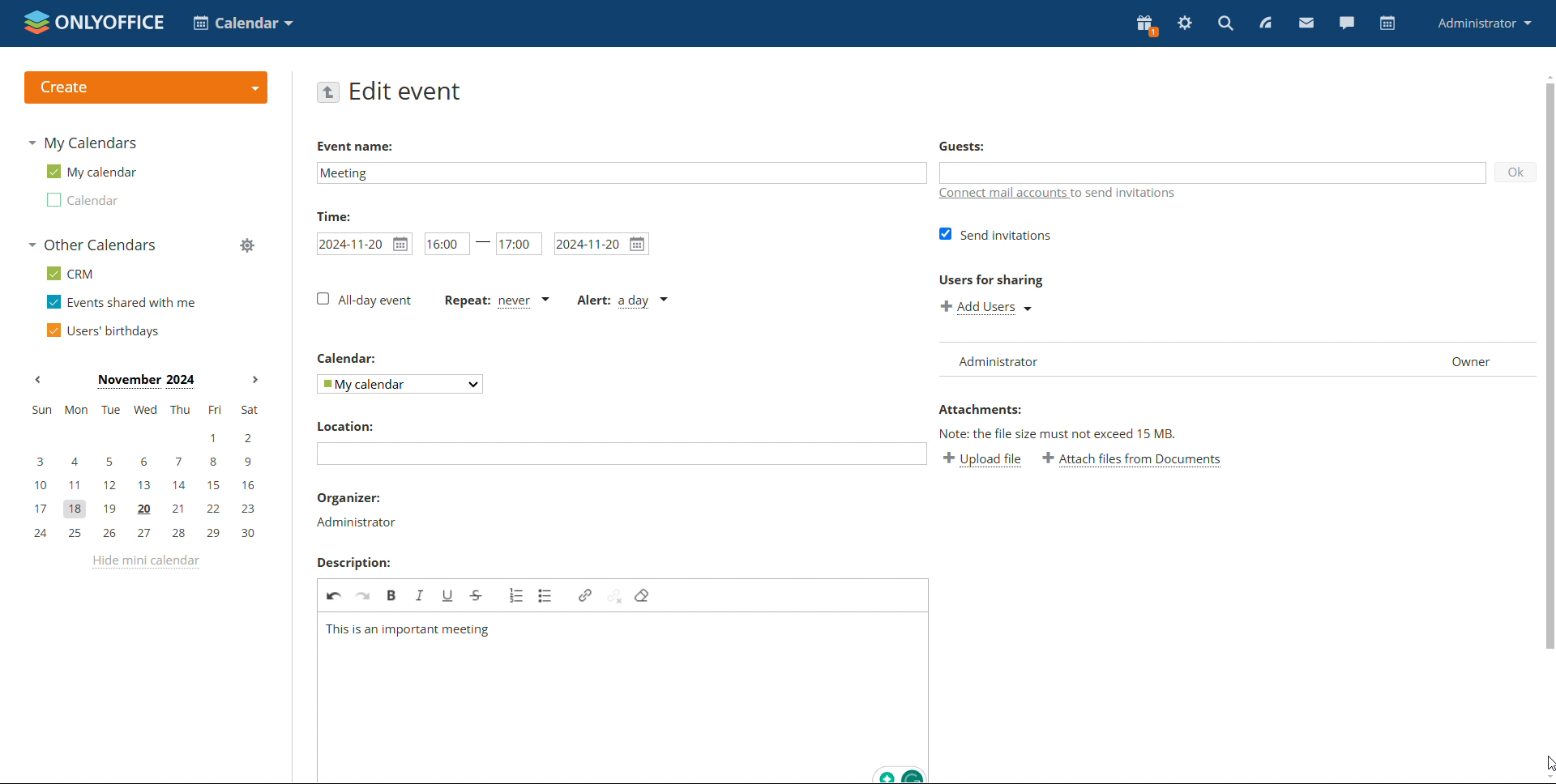  Describe the element at coordinates (519, 245) in the screenshot. I see `end time` at that location.